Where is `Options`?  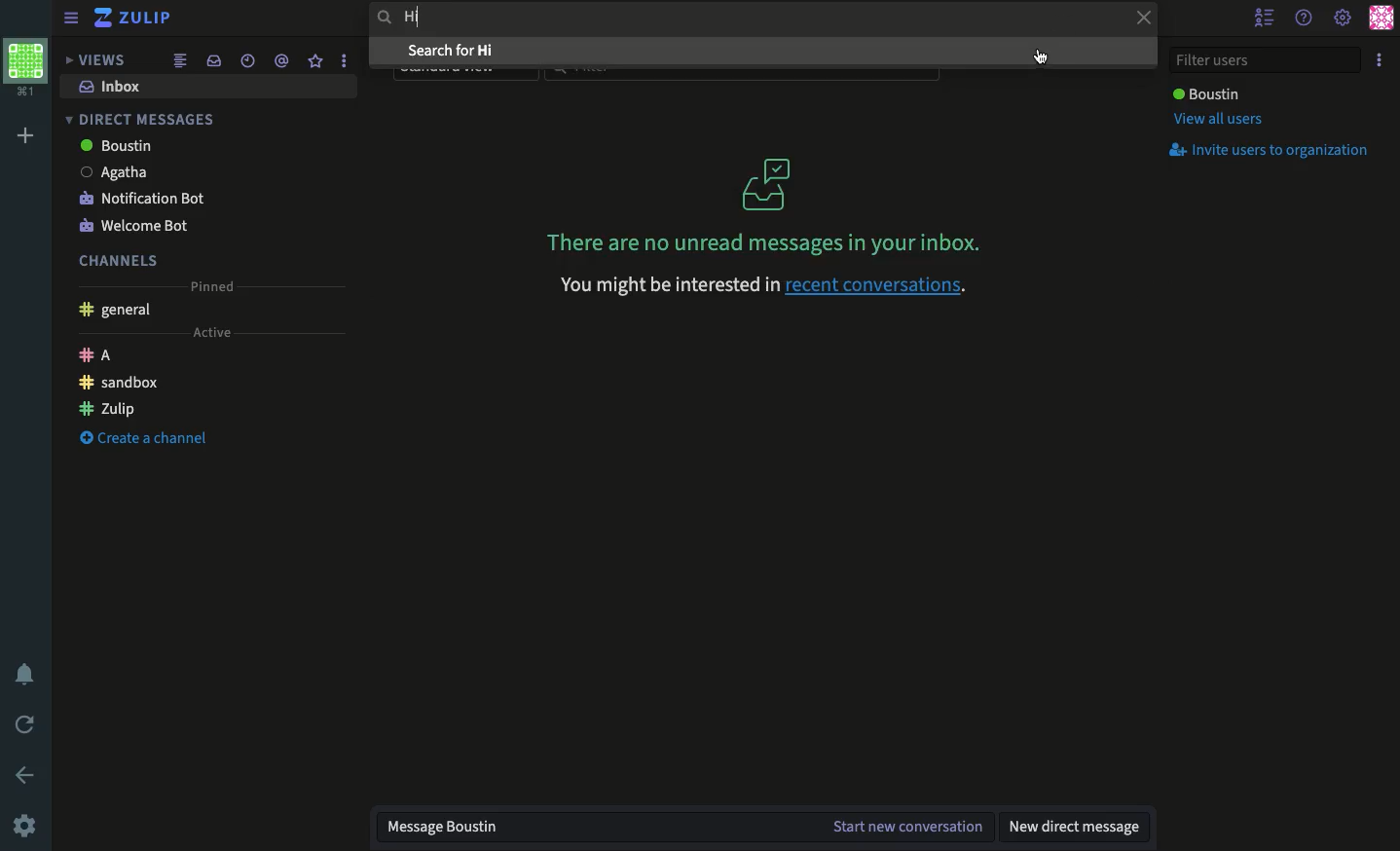
Options is located at coordinates (342, 60).